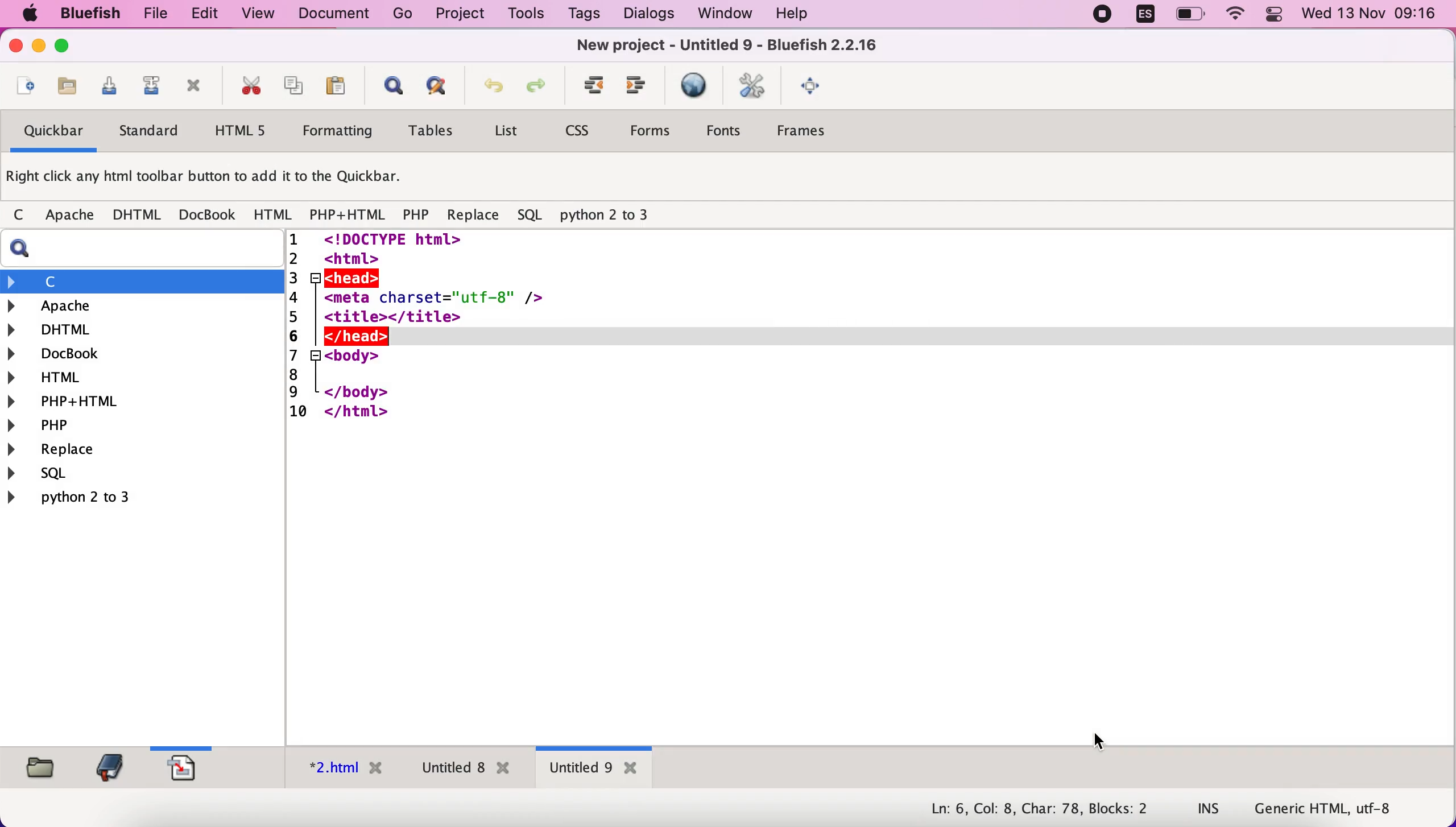 Image resolution: width=1456 pixels, height=827 pixels. What do you see at coordinates (488, 91) in the screenshot?
I see `undo` at bounding box center [488, 91].